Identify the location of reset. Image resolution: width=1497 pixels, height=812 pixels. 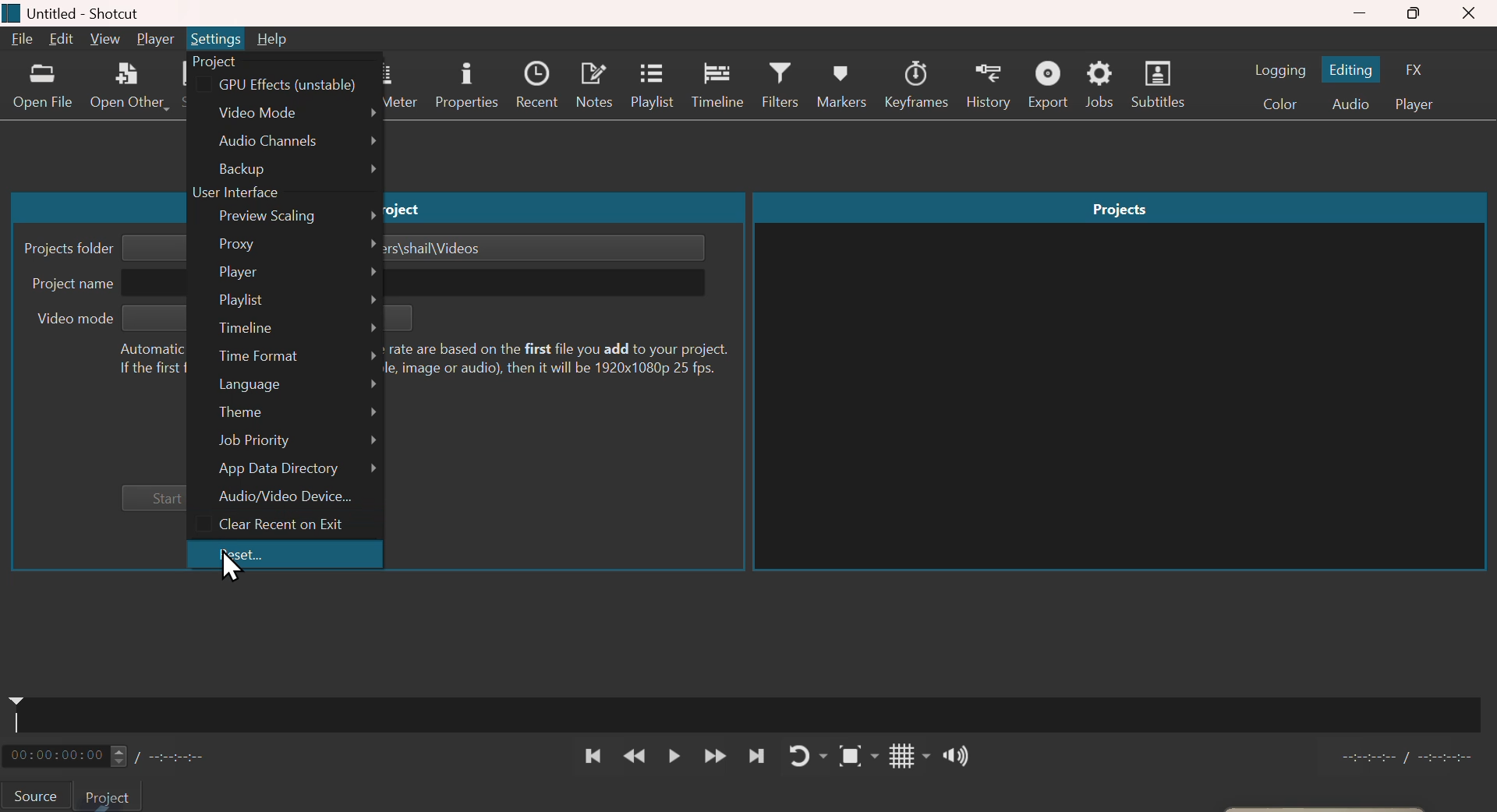
(286, 553).